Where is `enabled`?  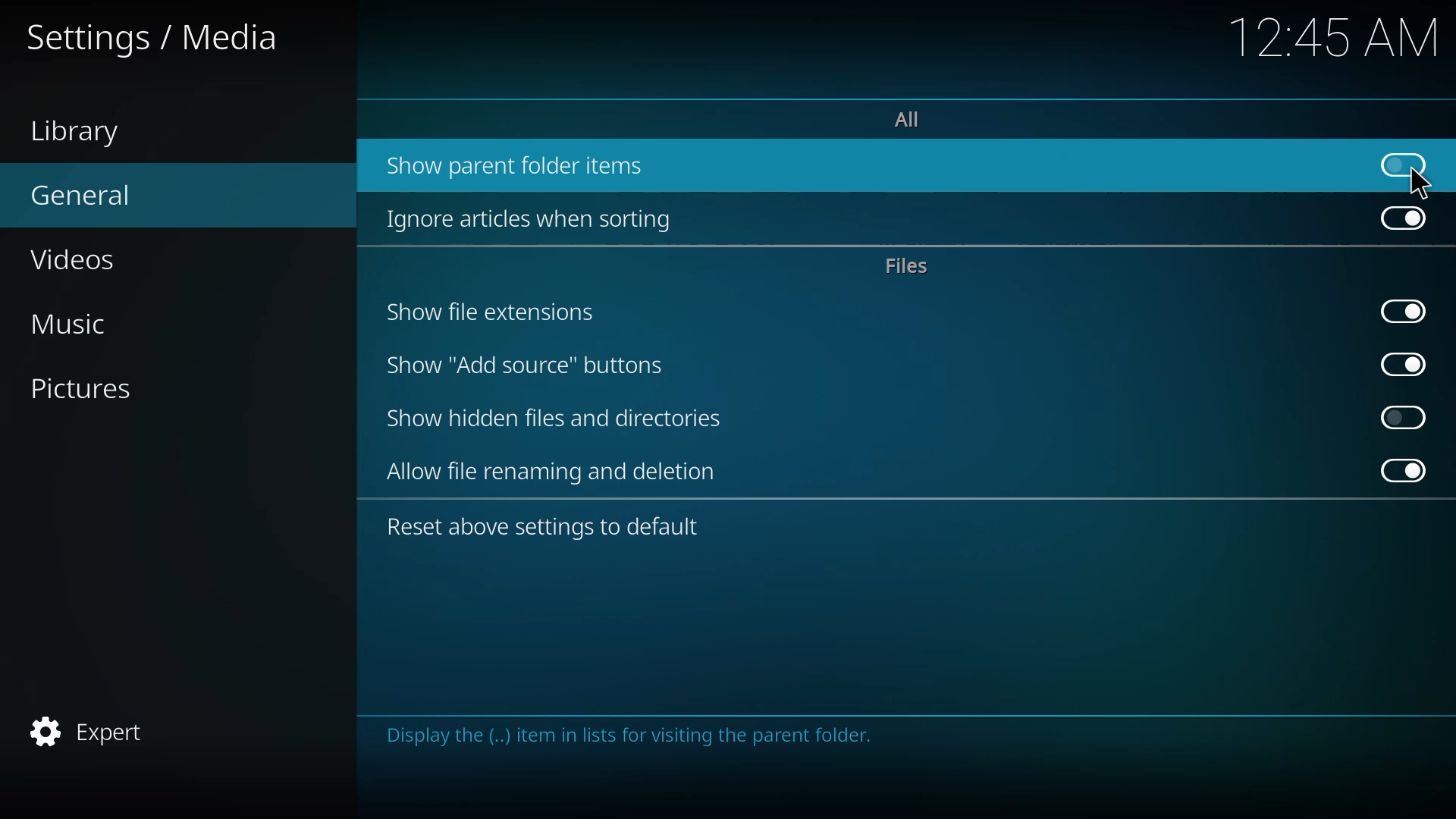 enabled is located at coordinates (1402, 362).